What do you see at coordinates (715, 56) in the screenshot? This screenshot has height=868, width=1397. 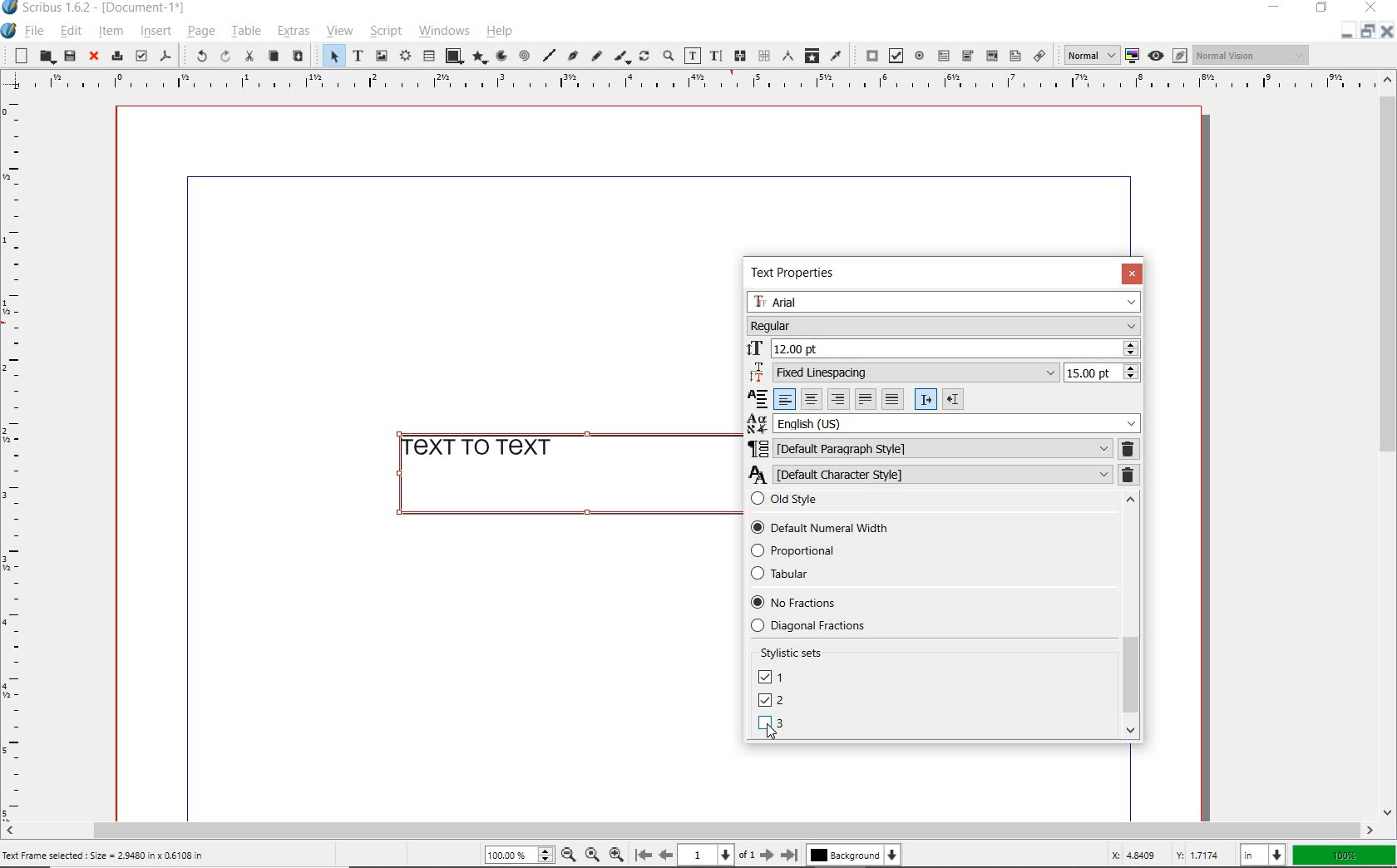 I see `edit text with story editor` at bounding box center [715, 56].